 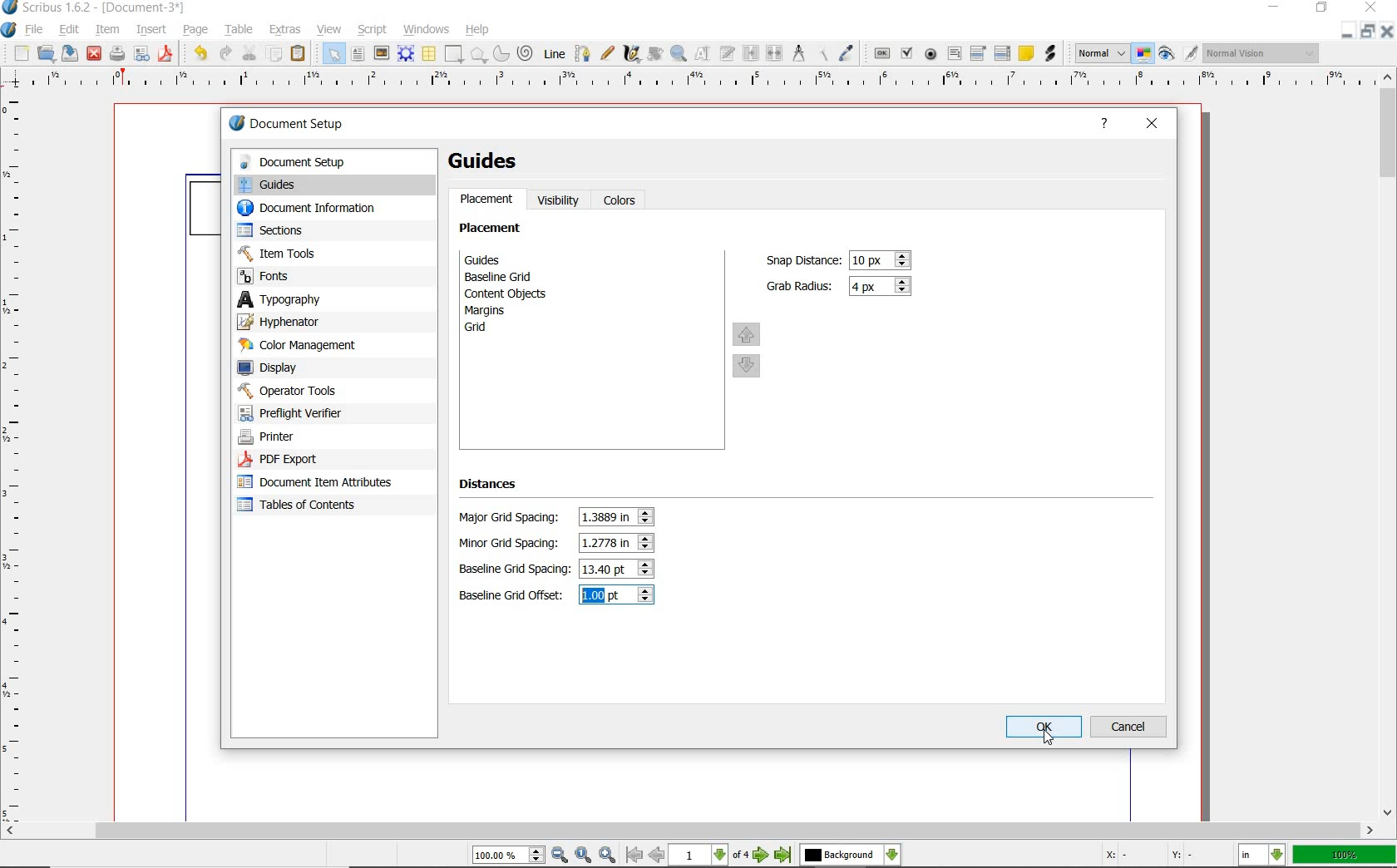 What do you see at coordinates (622, 201) in the screenshot?
I see `colors` at bounding box center [622, 201].